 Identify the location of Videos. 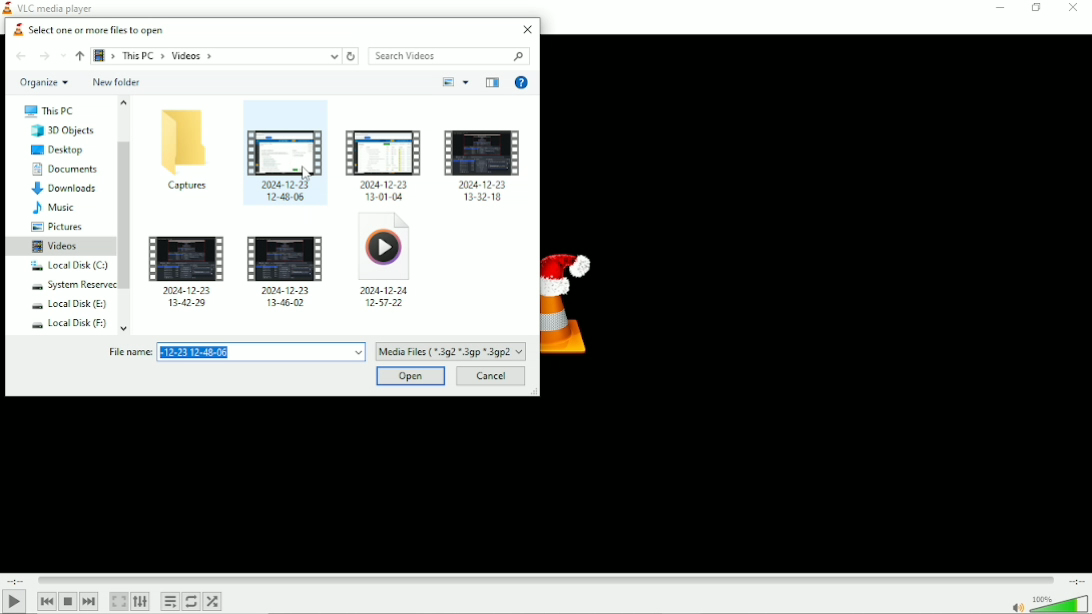
(56, 245).